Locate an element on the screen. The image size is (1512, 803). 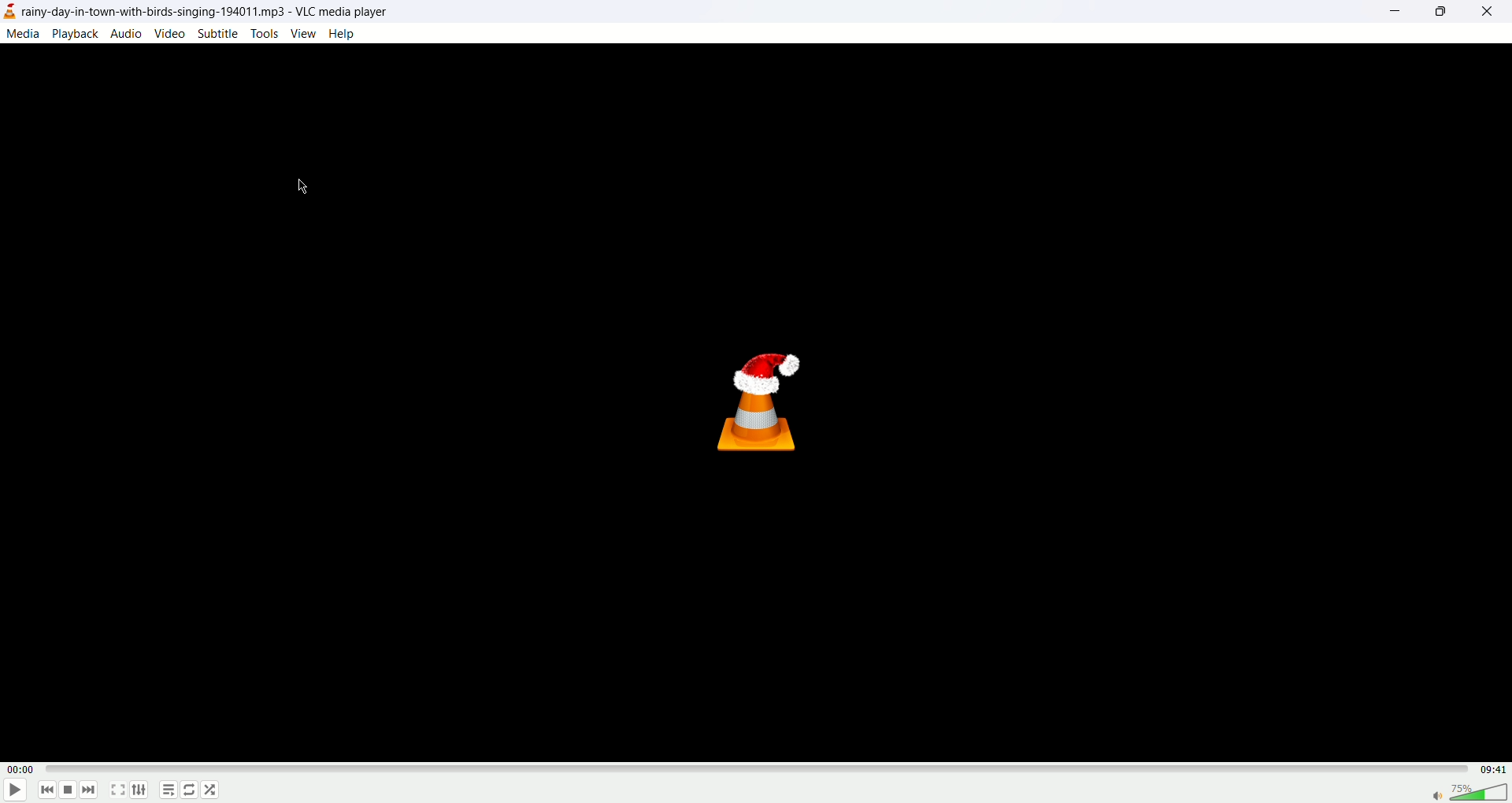
minimize is located at coordinates (1395, 13).